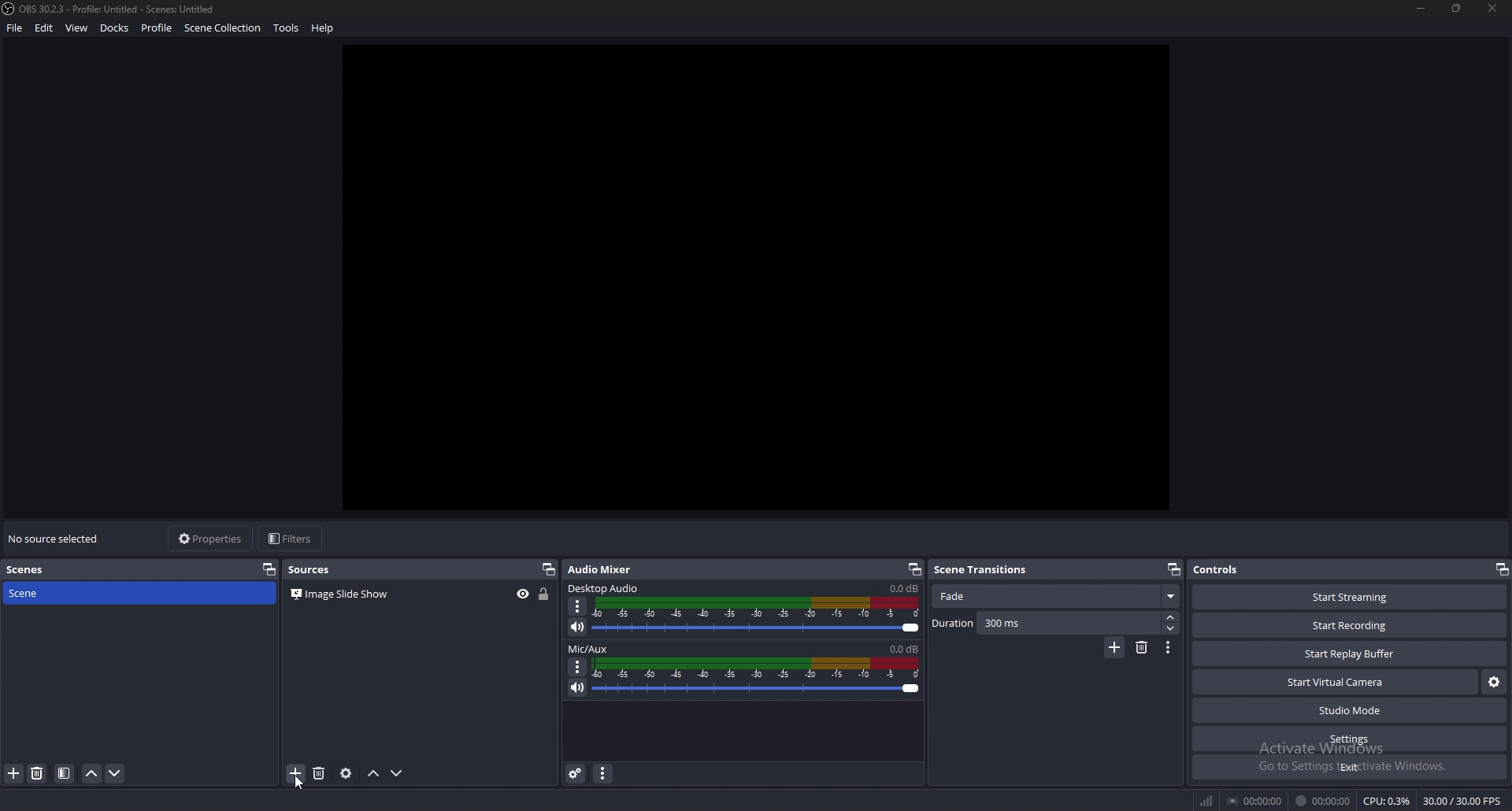 This screenshot has height=811, width=1512. I want to click on advanced audio properties, so click(576, 773).